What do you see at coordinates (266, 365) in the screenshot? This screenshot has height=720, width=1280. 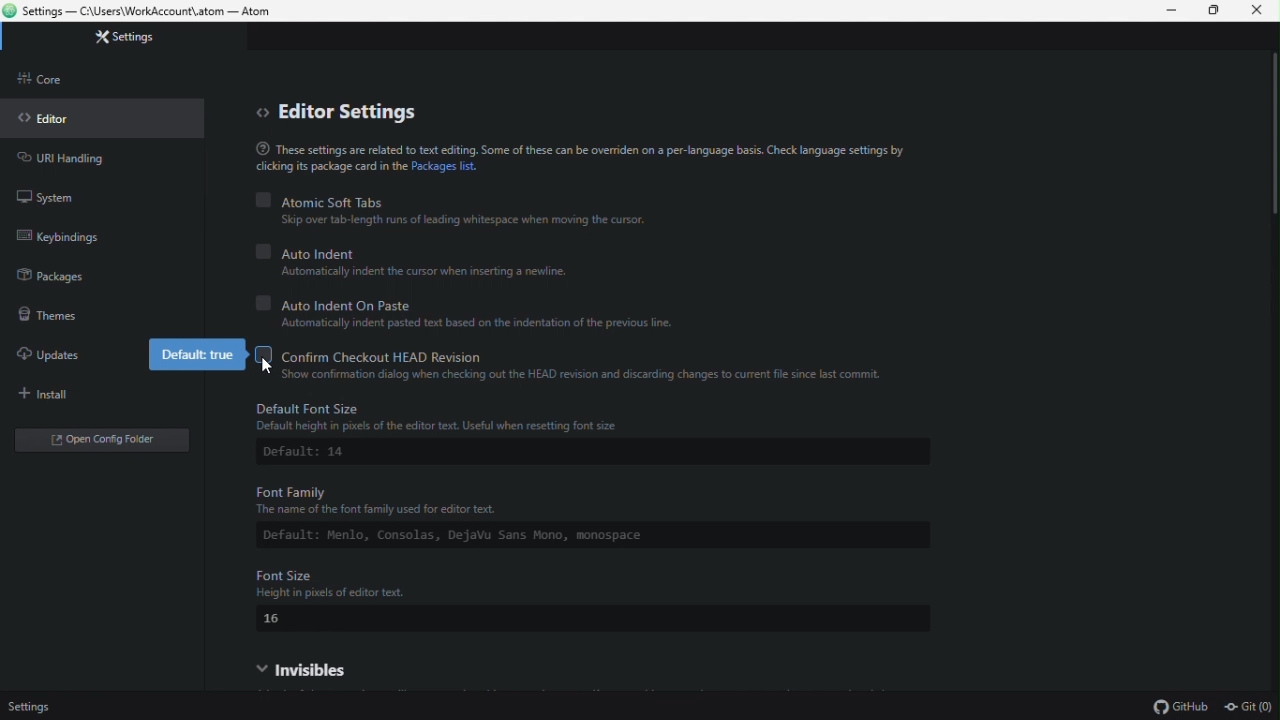 I see `cursor` at bounding box center [266, 365].